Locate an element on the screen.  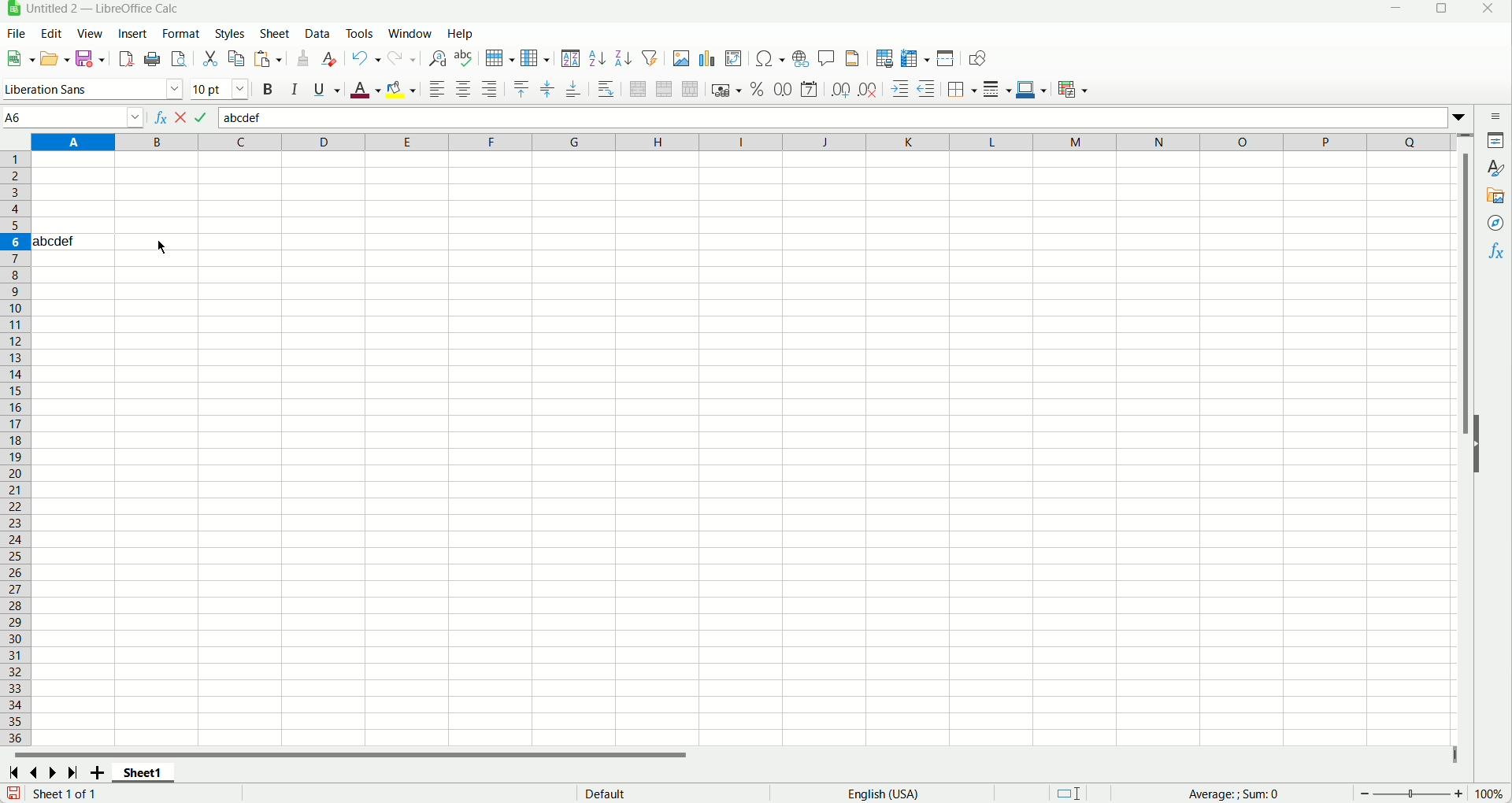
background color is located at coordinates (401, 89).